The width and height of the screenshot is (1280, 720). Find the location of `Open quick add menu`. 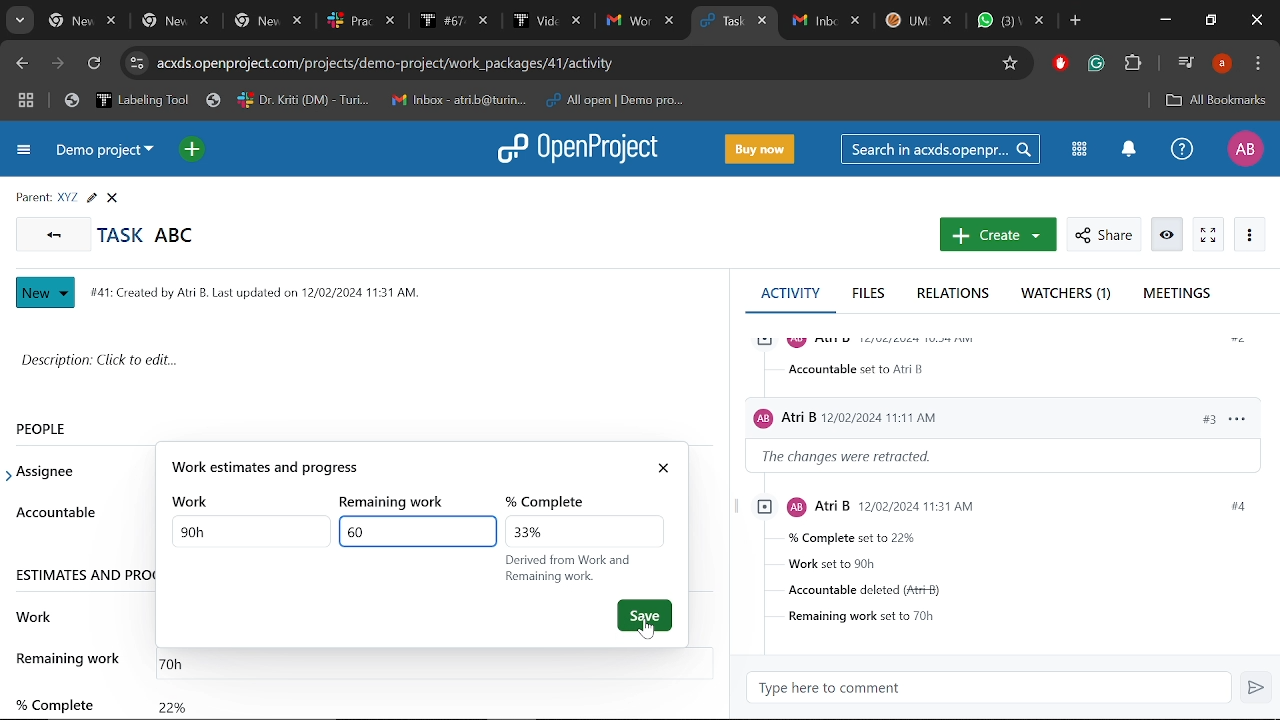

Open quick add menu is located at coordinates (191, 149).